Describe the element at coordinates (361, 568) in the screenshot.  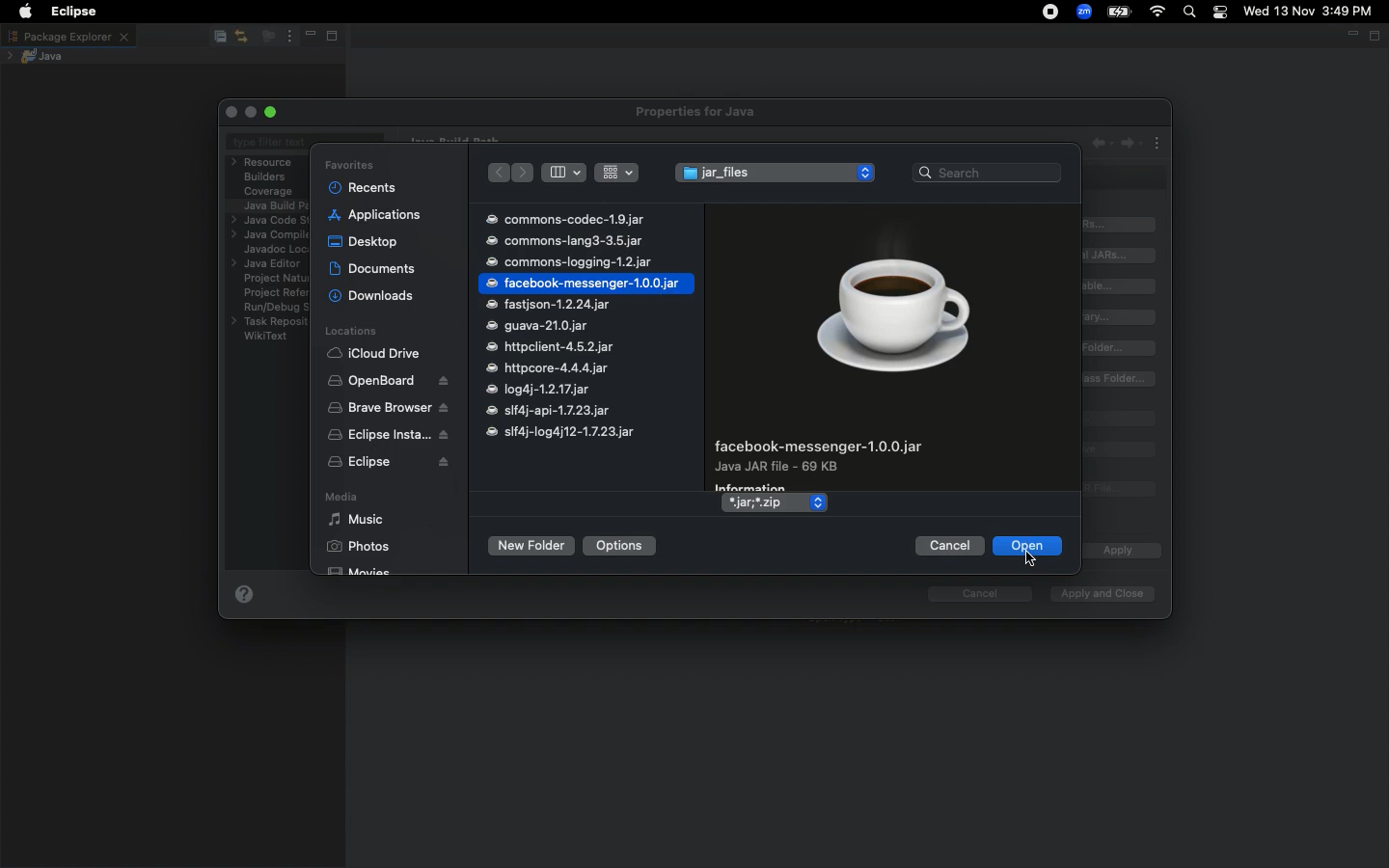
I see `Movies` at that location.